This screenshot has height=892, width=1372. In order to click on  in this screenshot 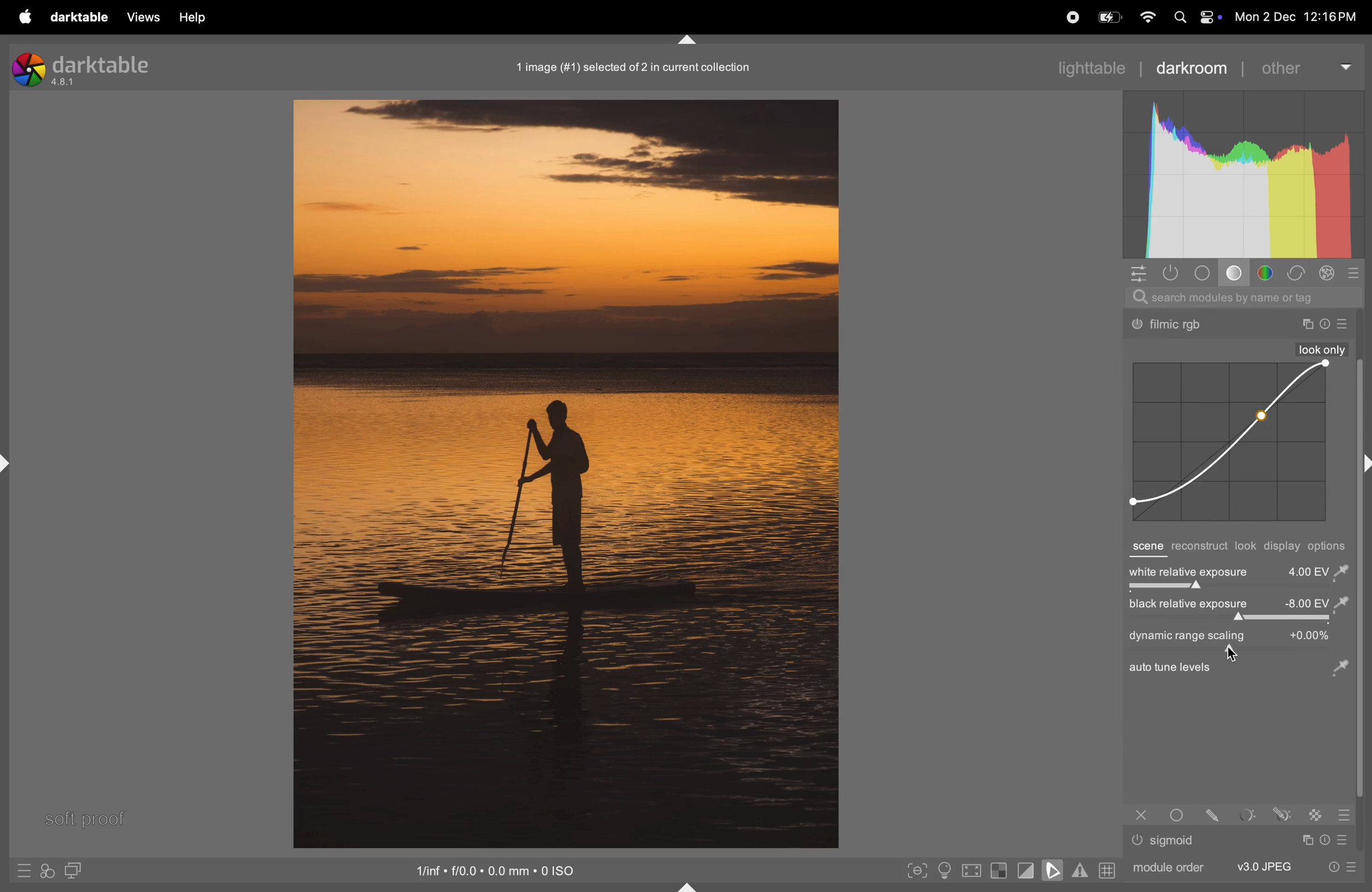, I will do `click(1327, 840)`.